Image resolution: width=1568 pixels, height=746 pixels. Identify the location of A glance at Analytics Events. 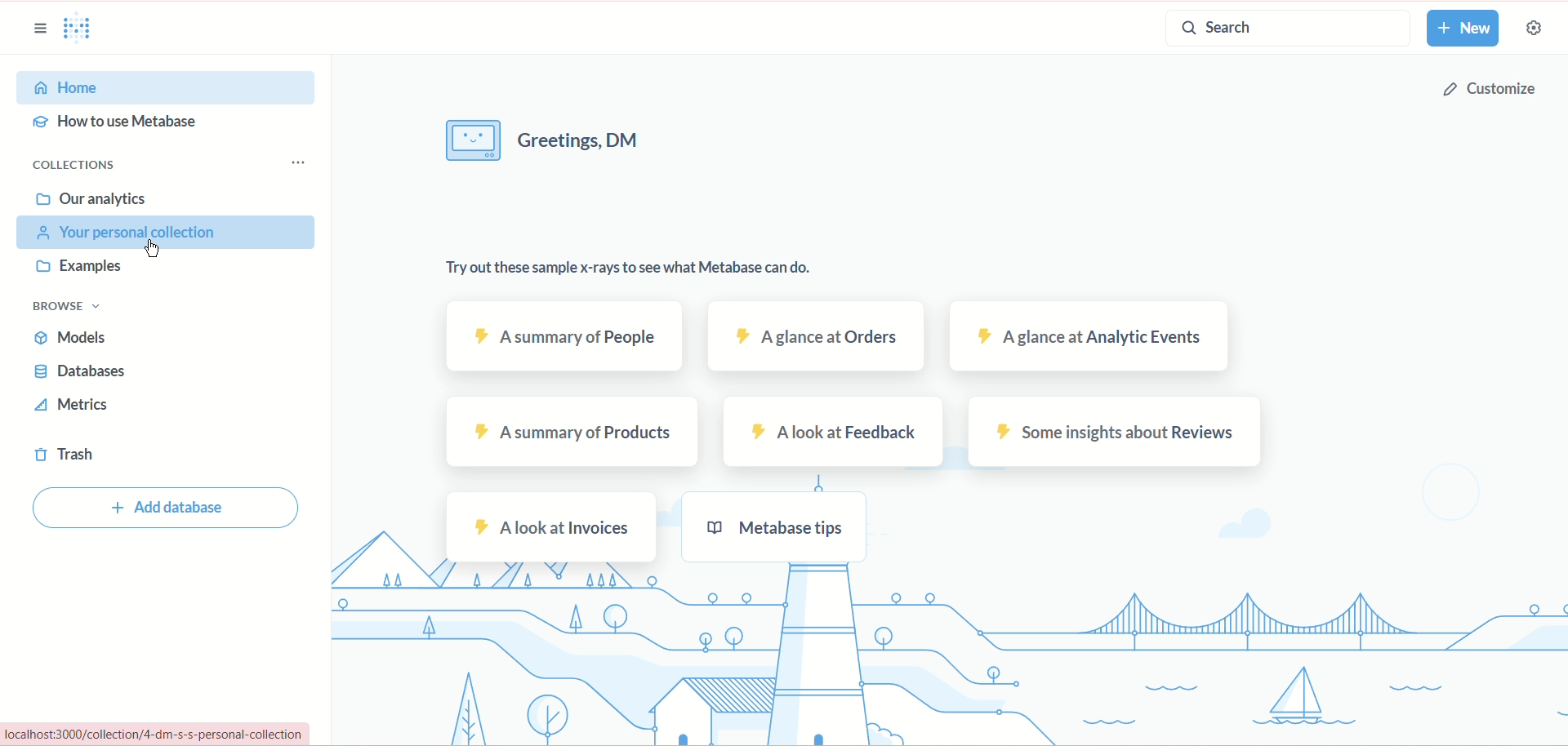
(1094, 336).